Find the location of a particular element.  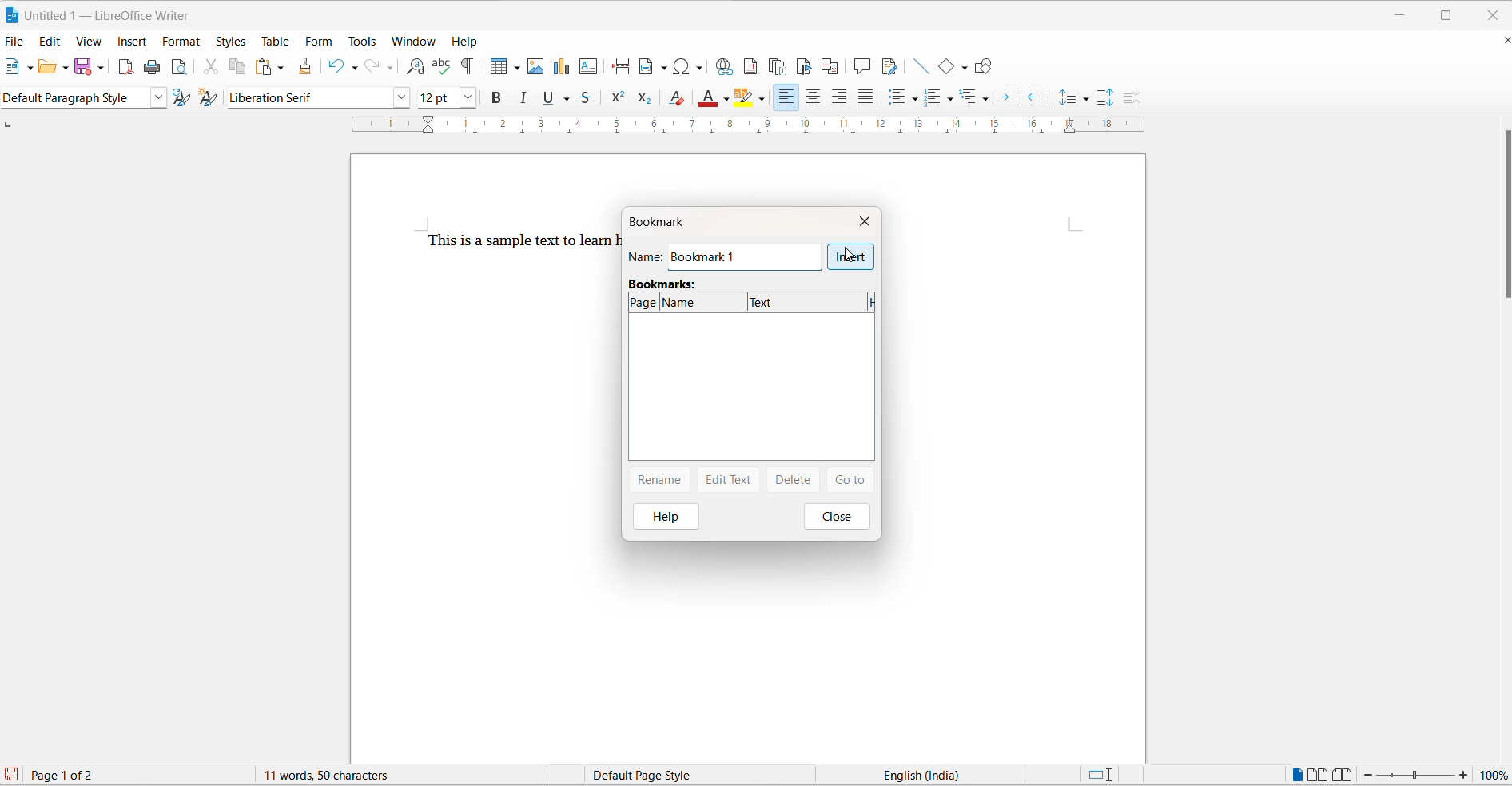

insert endnote is located at coordinates (779, 64).